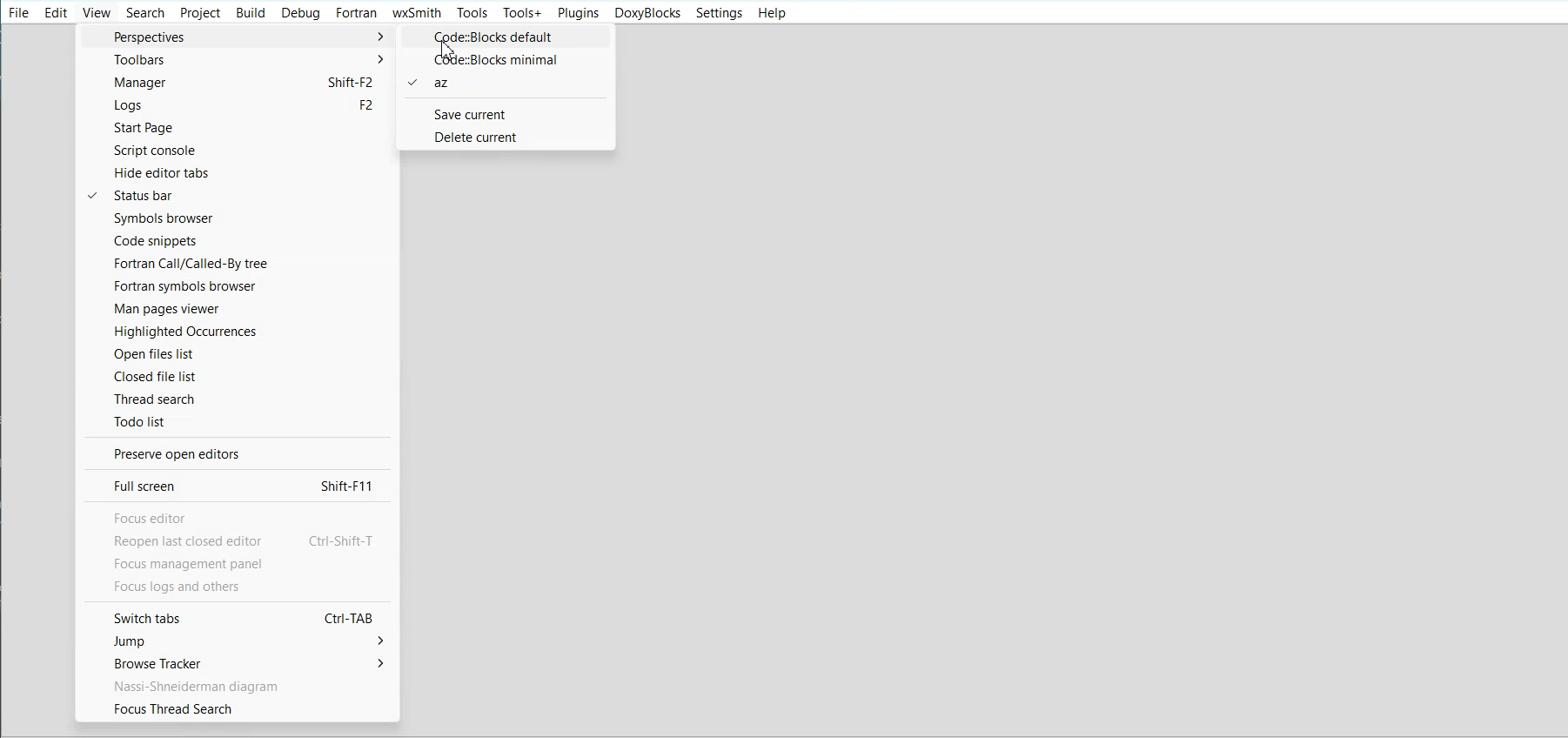 This screenshot has height=738, width=1568. I want to click on Browse tracker, so click(245, 662).